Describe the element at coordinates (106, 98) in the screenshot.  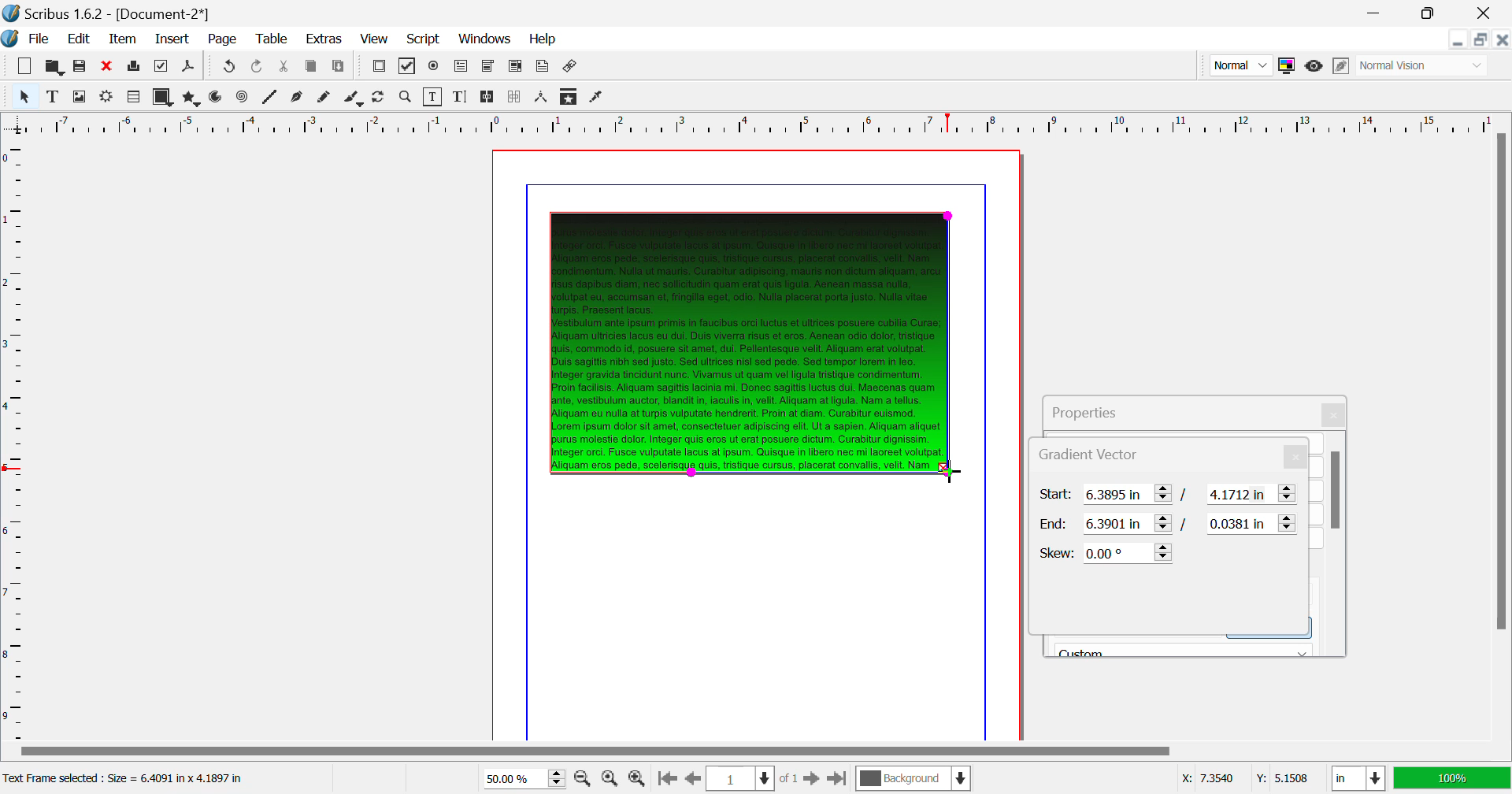
I see `Render Frame` at that location.